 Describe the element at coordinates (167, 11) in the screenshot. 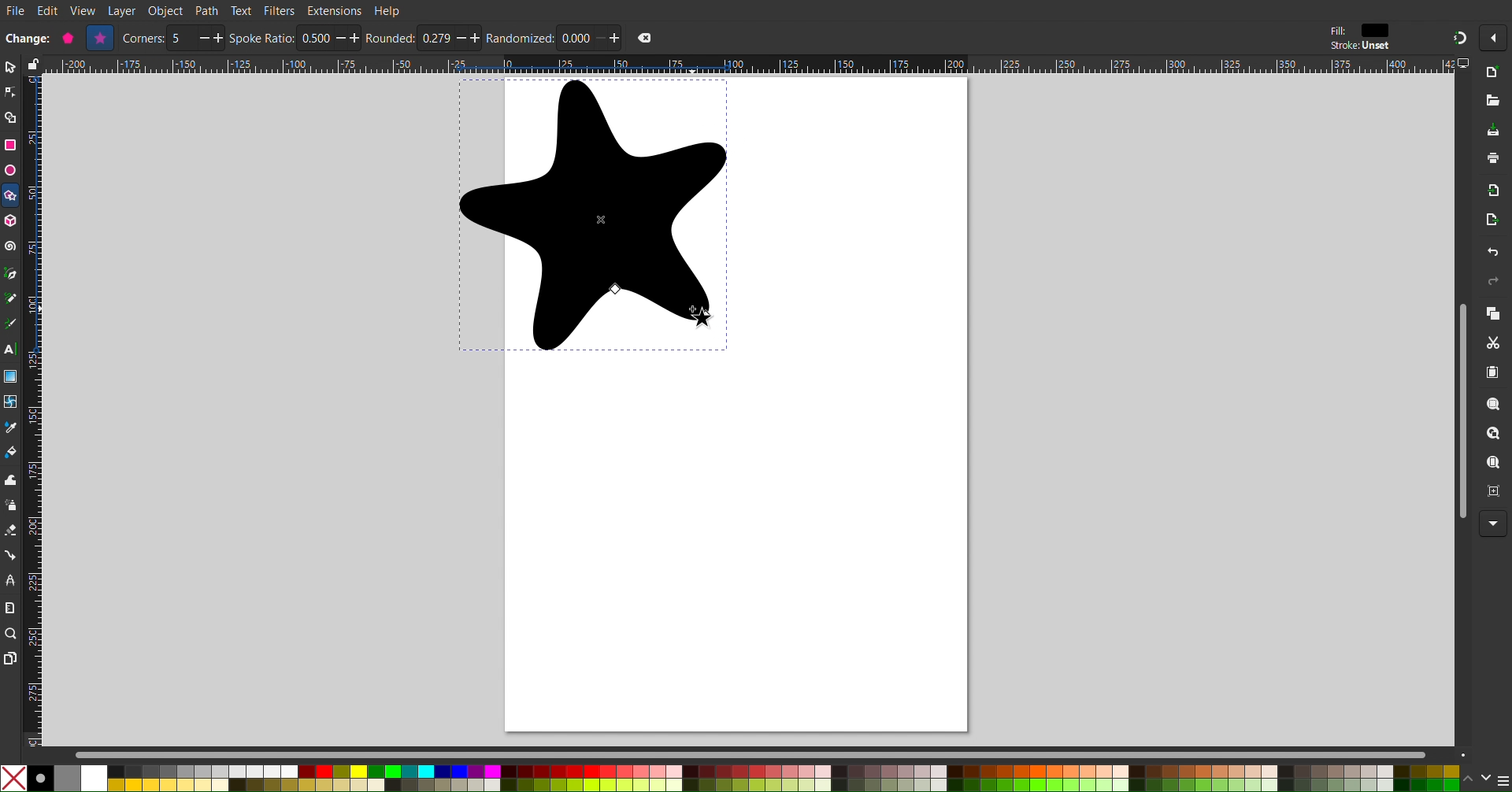

I see `Object` at that location.